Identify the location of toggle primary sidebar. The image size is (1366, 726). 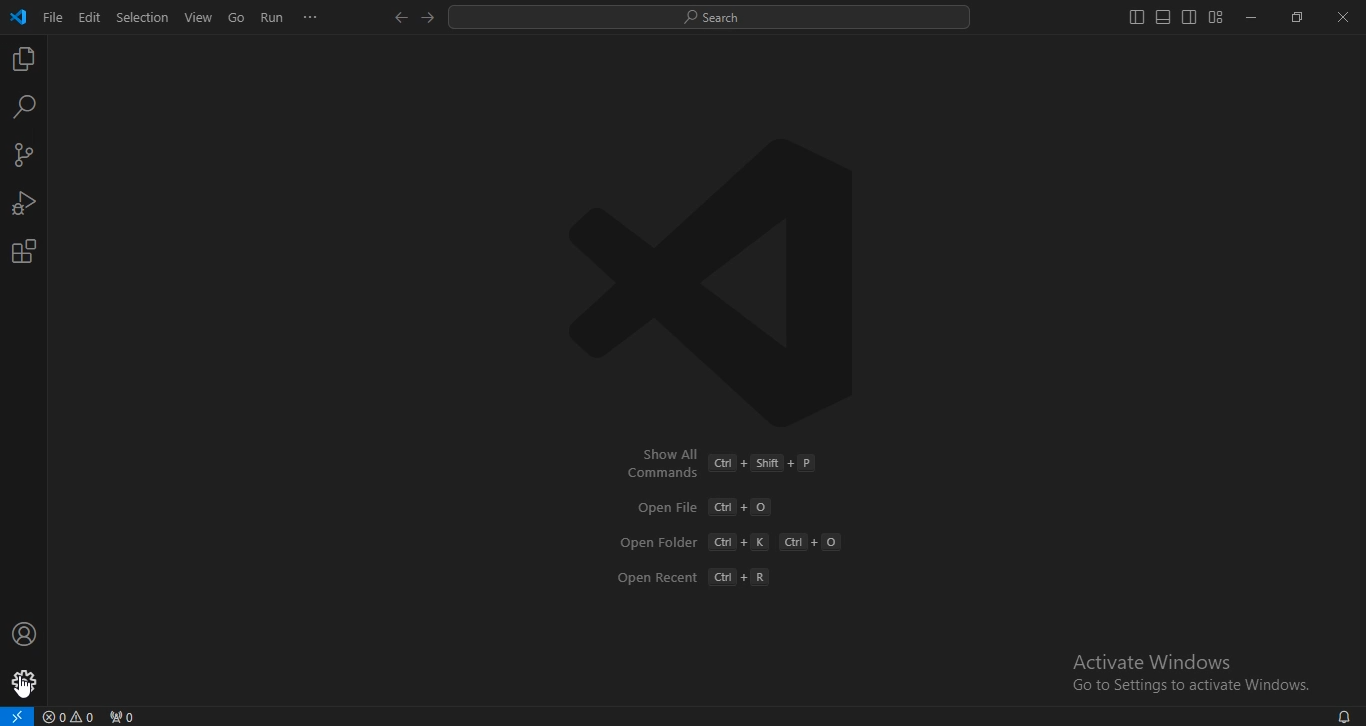
(1137, 17).